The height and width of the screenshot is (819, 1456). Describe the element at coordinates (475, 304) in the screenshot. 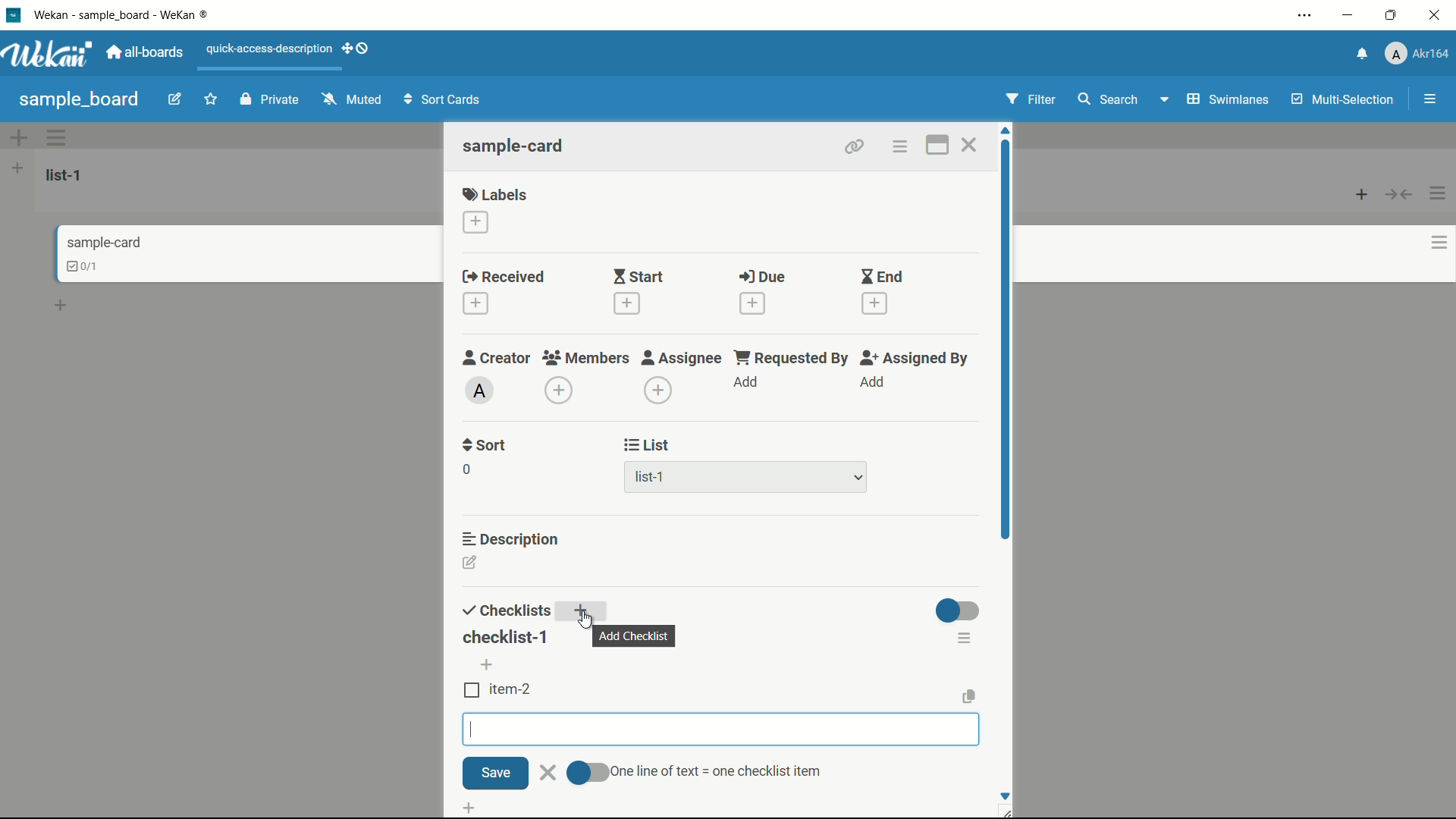

I see `add date` at that location.